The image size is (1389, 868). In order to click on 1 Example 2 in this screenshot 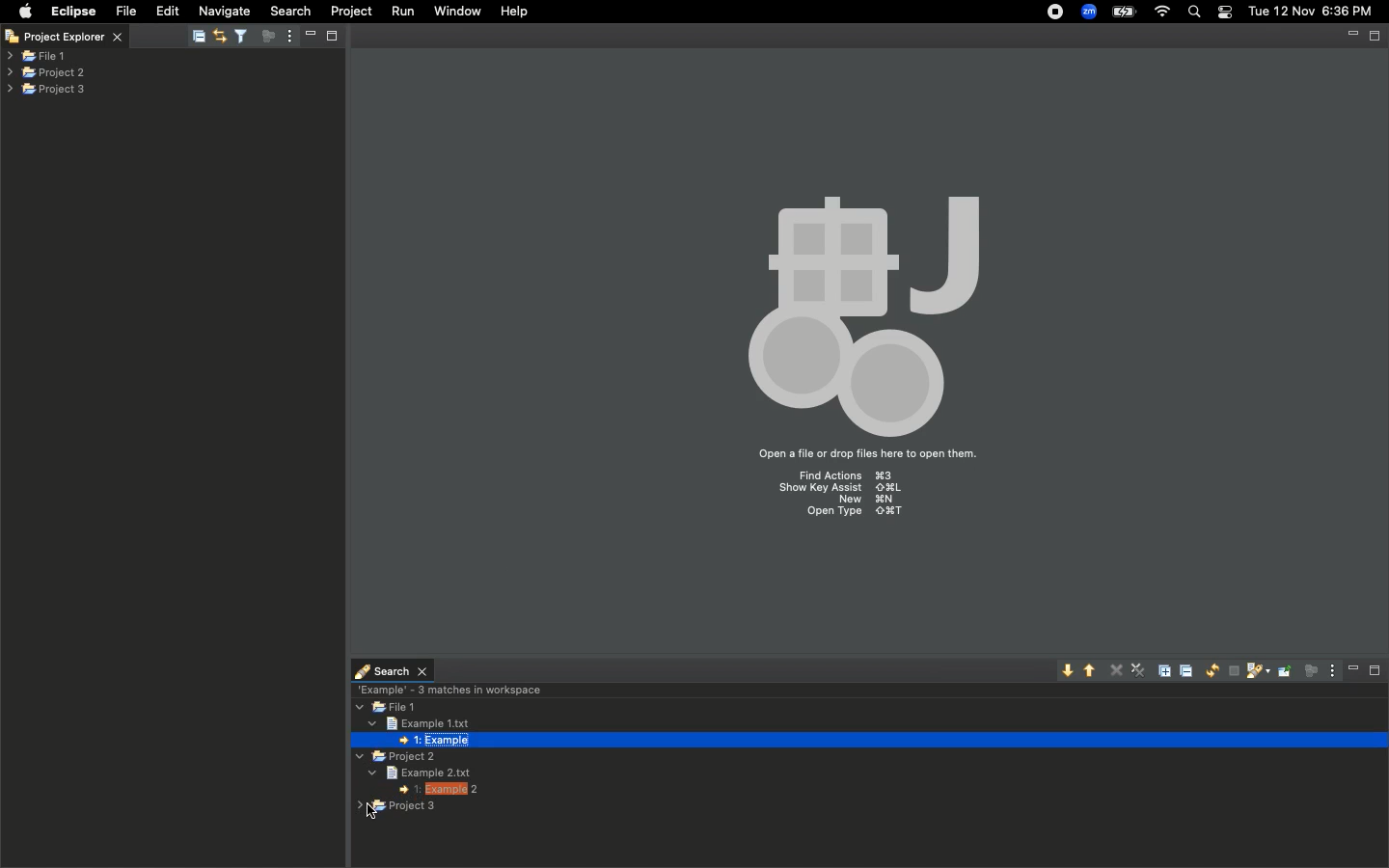, I will do `click(440, 790)`.